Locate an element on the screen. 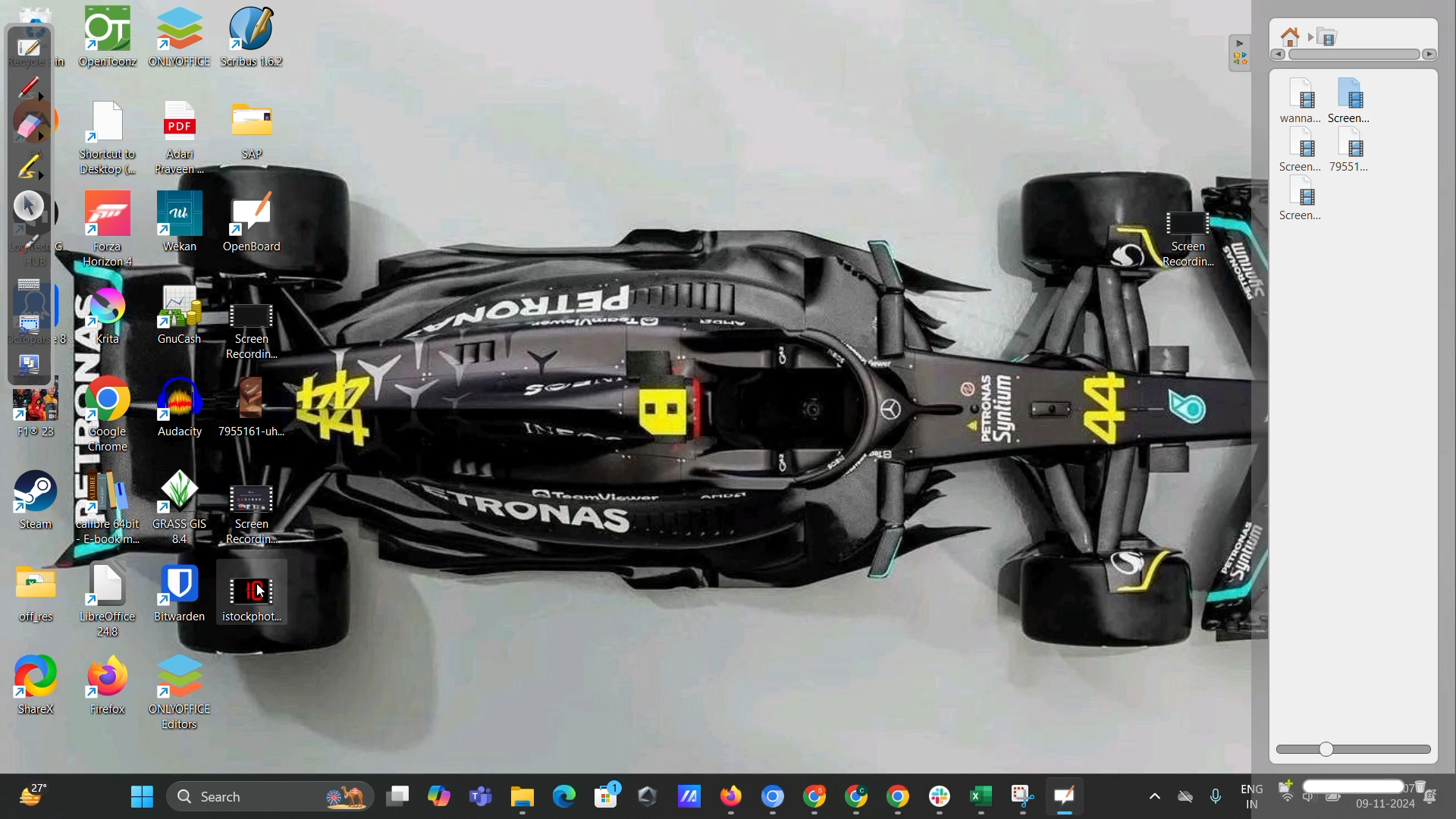 This screenshot has height=819, width=1456. collapse is located at coordinates (1245, 52).